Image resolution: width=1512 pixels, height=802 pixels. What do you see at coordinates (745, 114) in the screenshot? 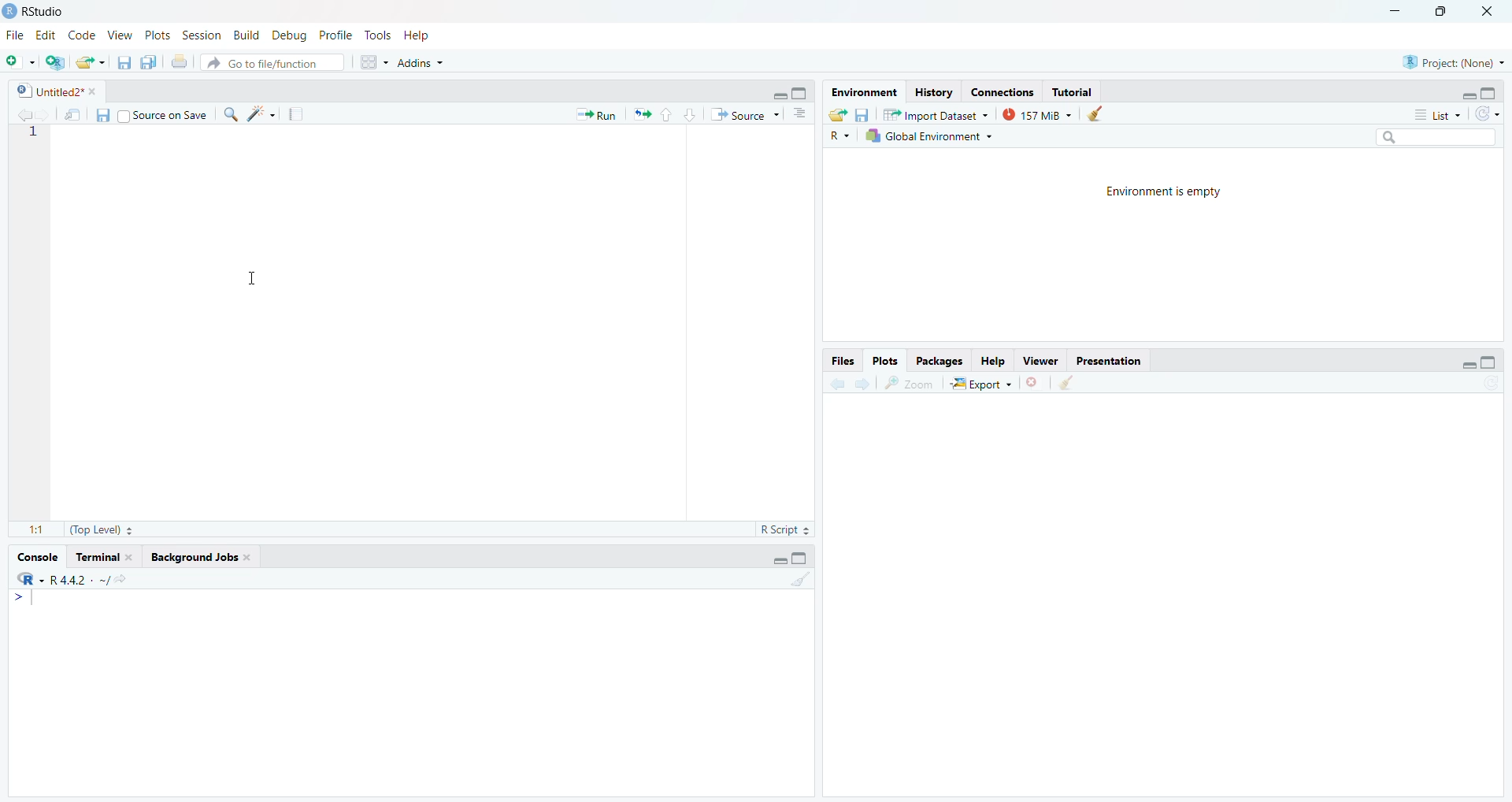
I see `Source` at bounding box center [745, 114].